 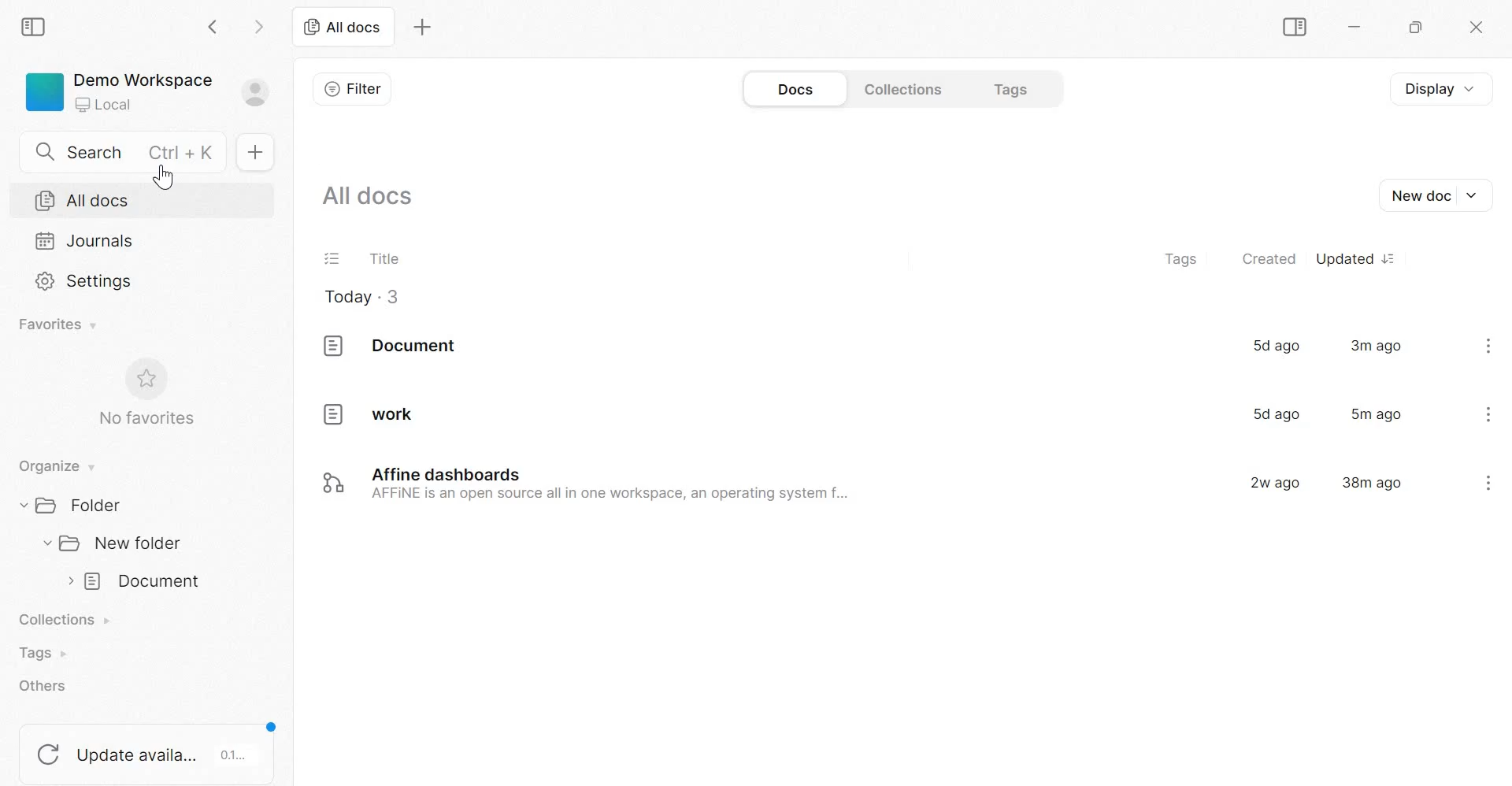 I want to click on new doc, so click(x=254, y=151).